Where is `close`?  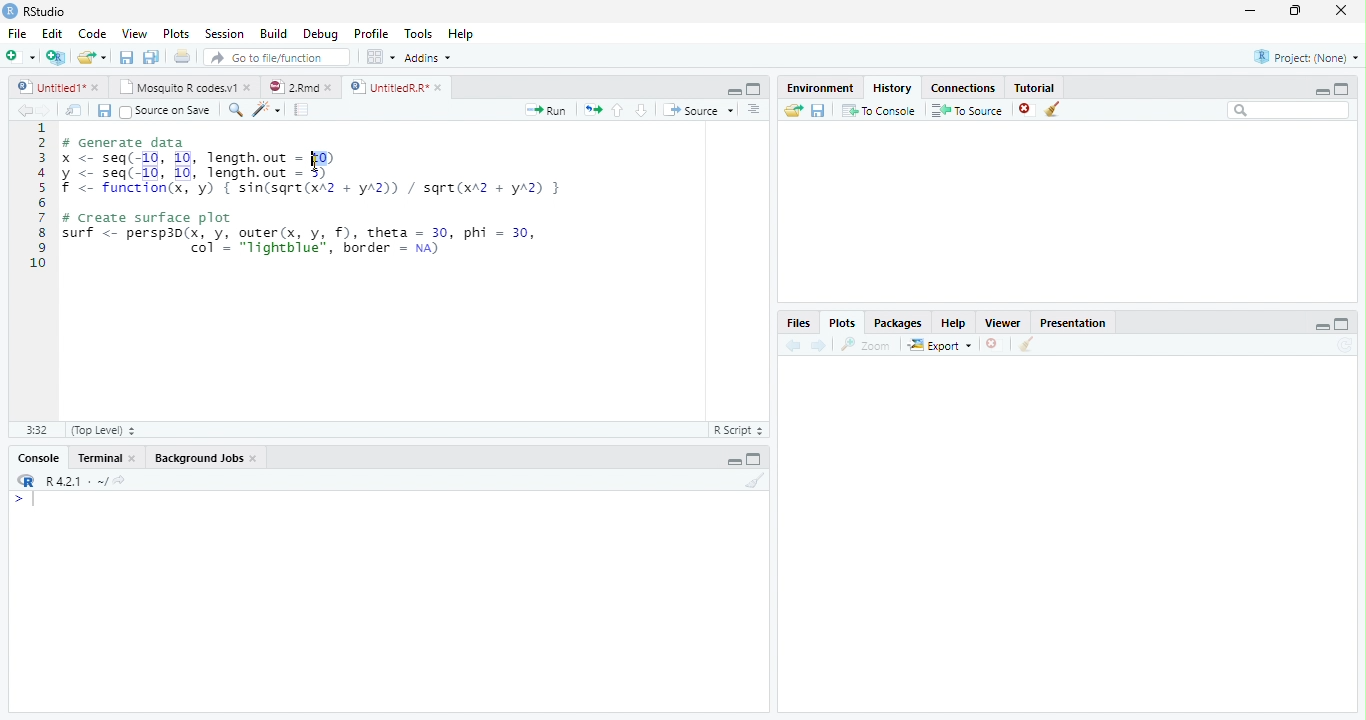
close is located at coordinates (96, 87).